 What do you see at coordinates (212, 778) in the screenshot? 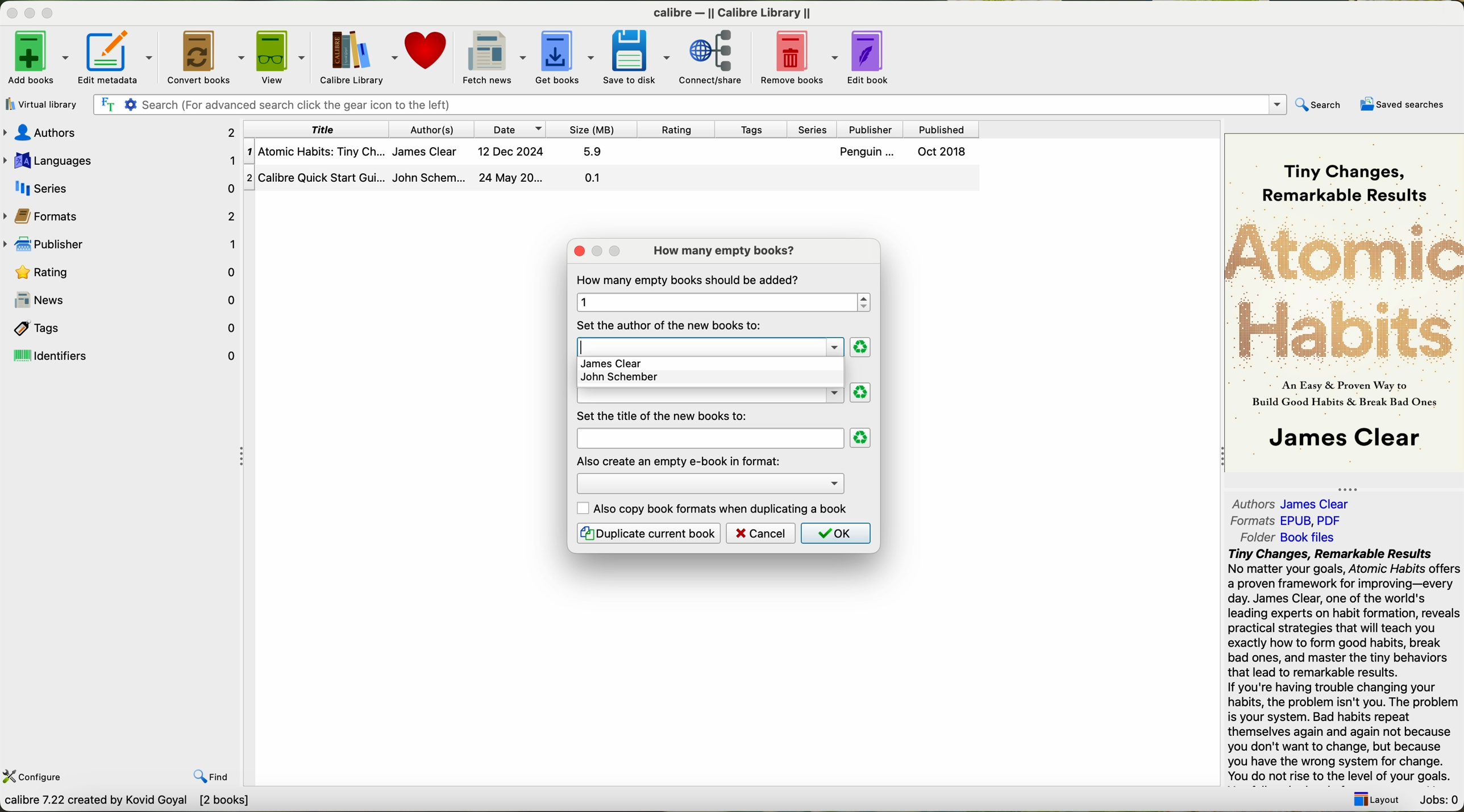
I see `find` at bounding box center [212, 778].